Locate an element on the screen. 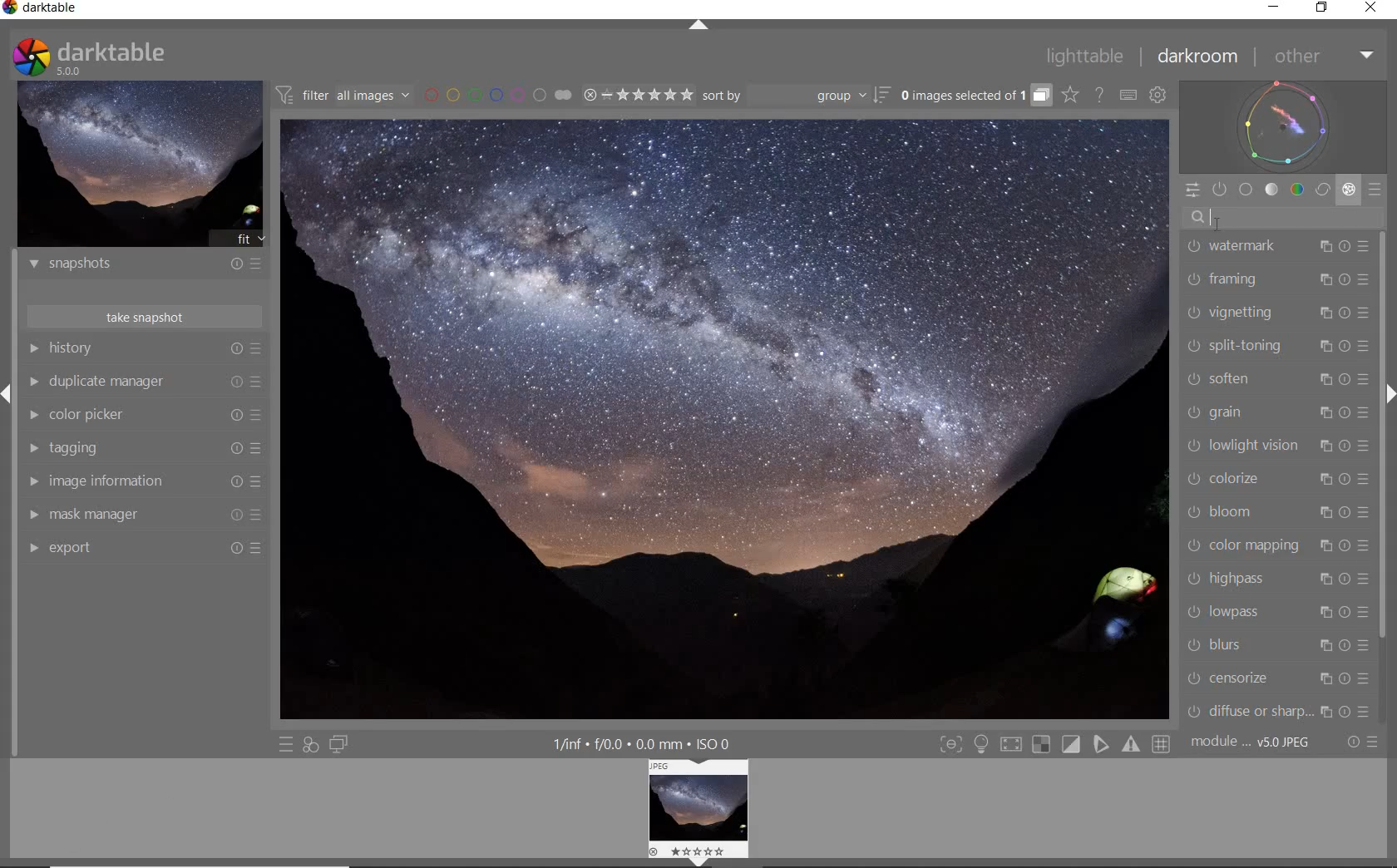  presets is located at coordinates (1365, 546).